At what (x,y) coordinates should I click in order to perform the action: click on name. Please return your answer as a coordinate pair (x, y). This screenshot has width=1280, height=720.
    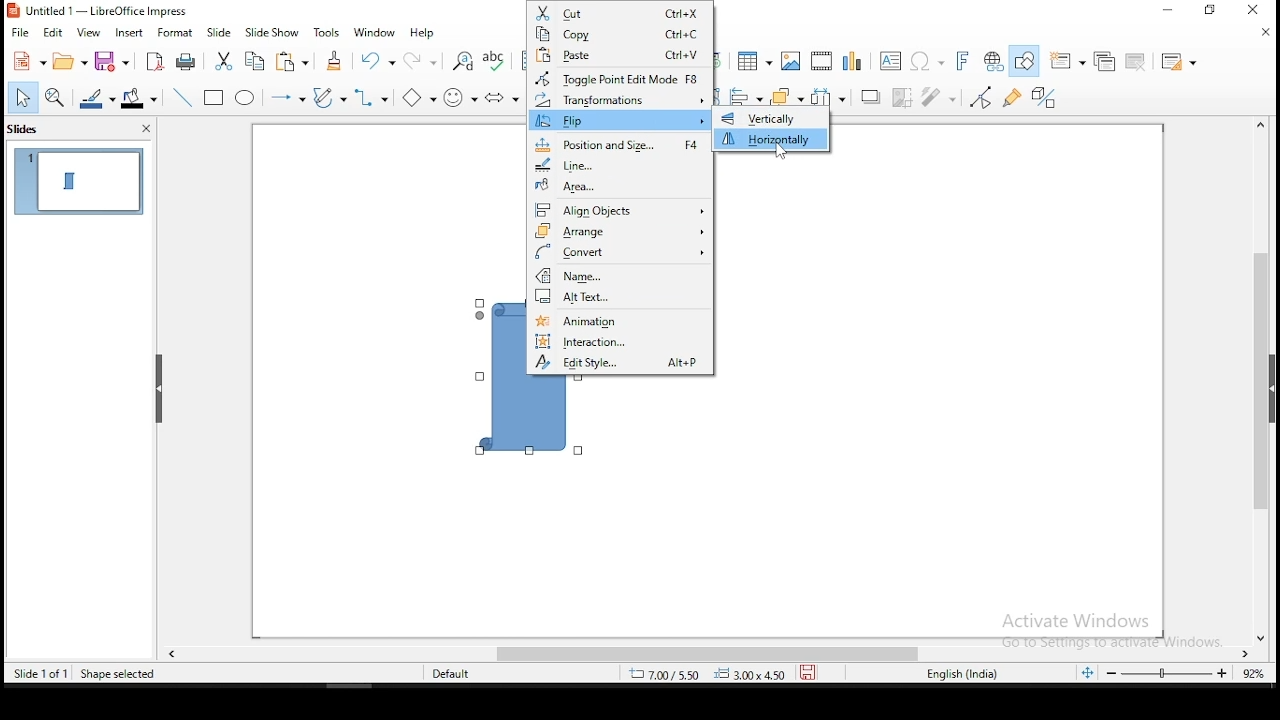
    Looking at the image, I should click on (619, 275).